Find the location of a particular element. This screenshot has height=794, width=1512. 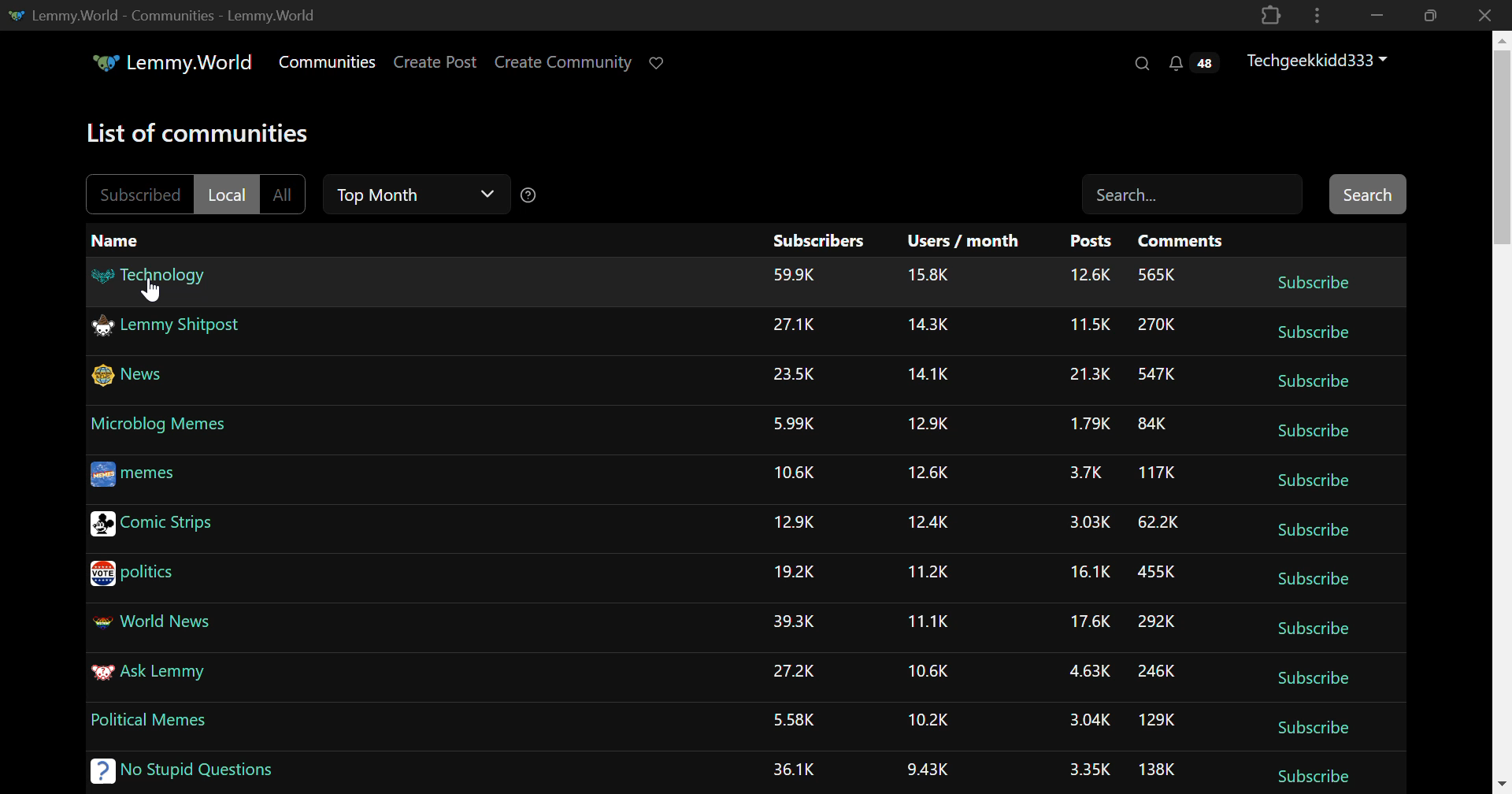

Local Filter Selected is located at coordinates (223, 194).